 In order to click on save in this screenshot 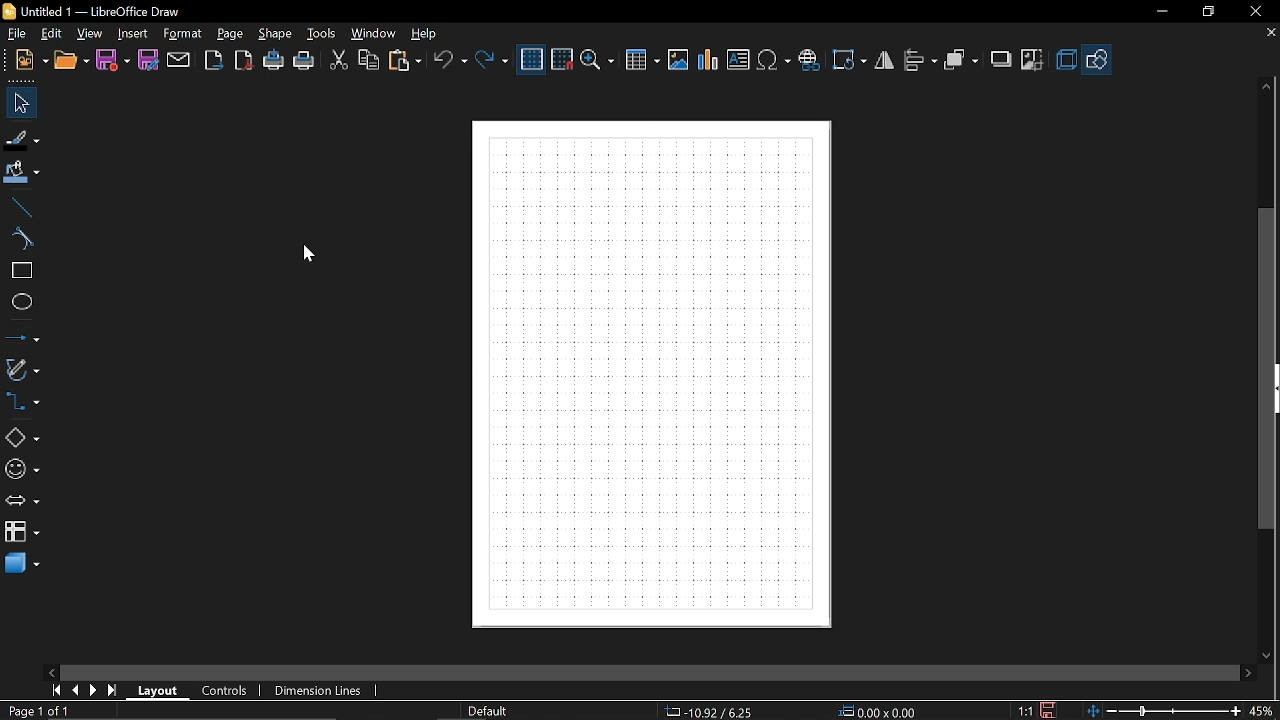, I will do `click(112, 61)`.